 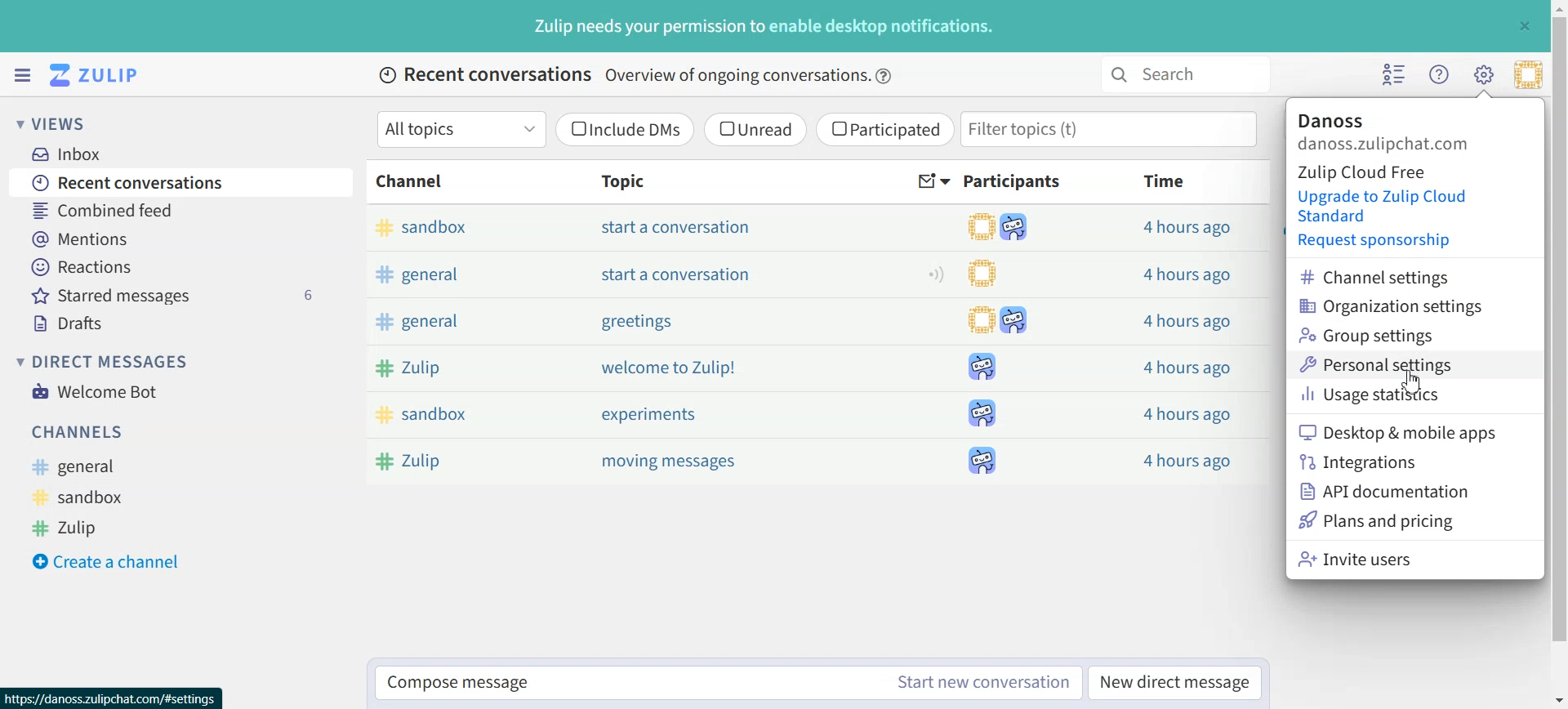 I want to click on Greetings, so click(x=635, y=323).